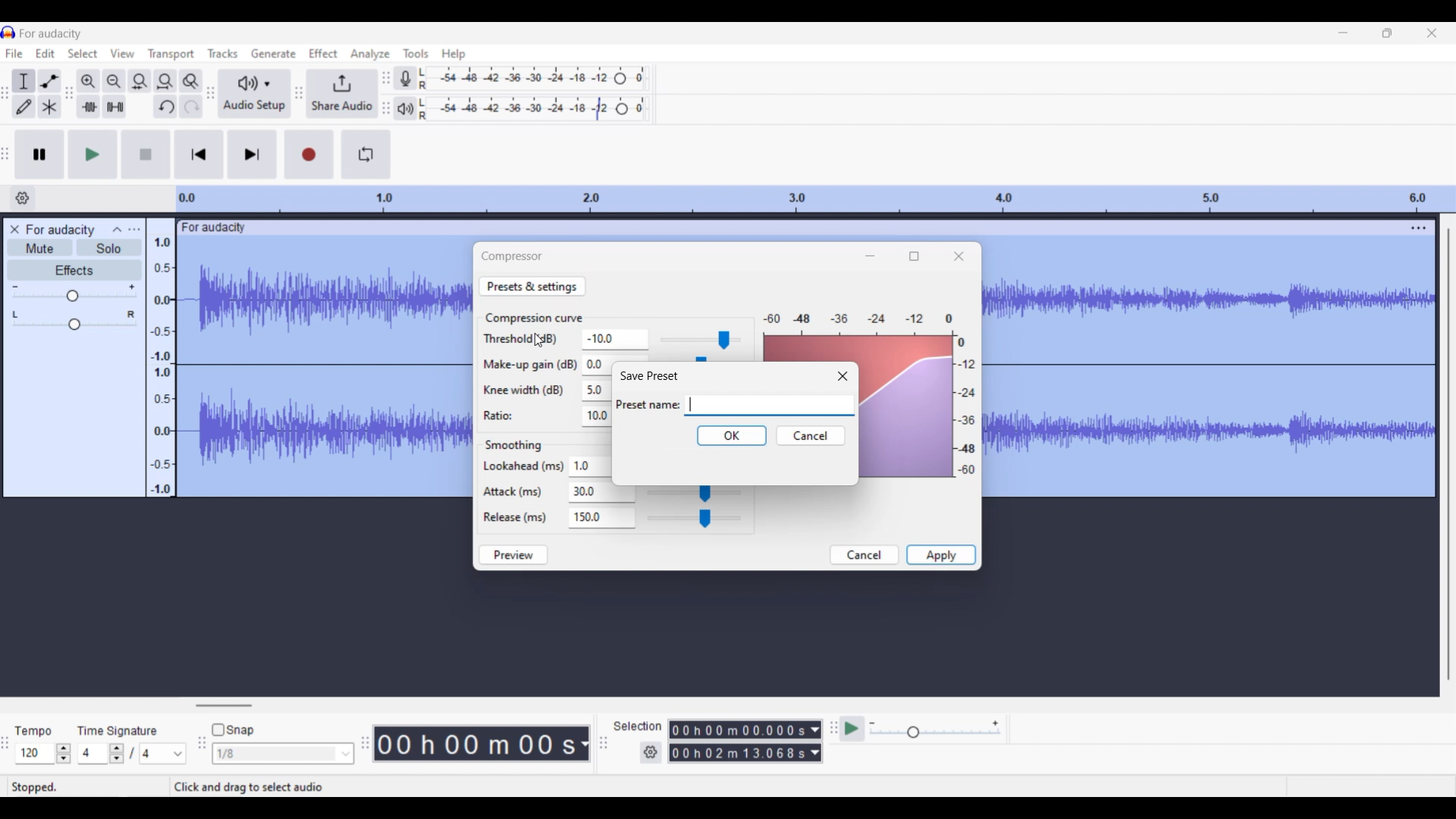 The height and width of the screenshot is (819, 1456). Describe the element at coordinates (109, 248) in the screenshot. I see `Solo` at that location.